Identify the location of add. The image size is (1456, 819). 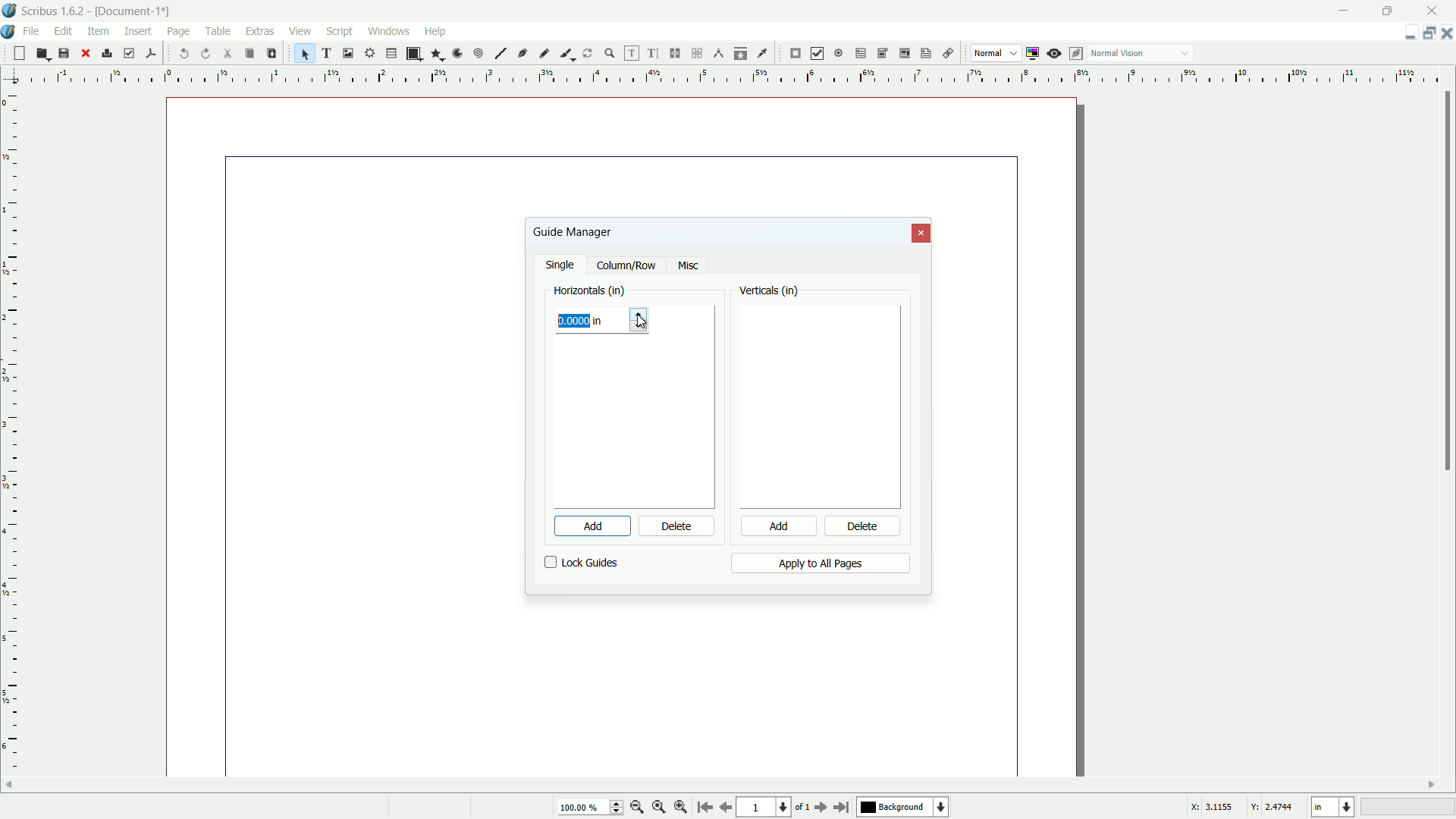
(777, 527).